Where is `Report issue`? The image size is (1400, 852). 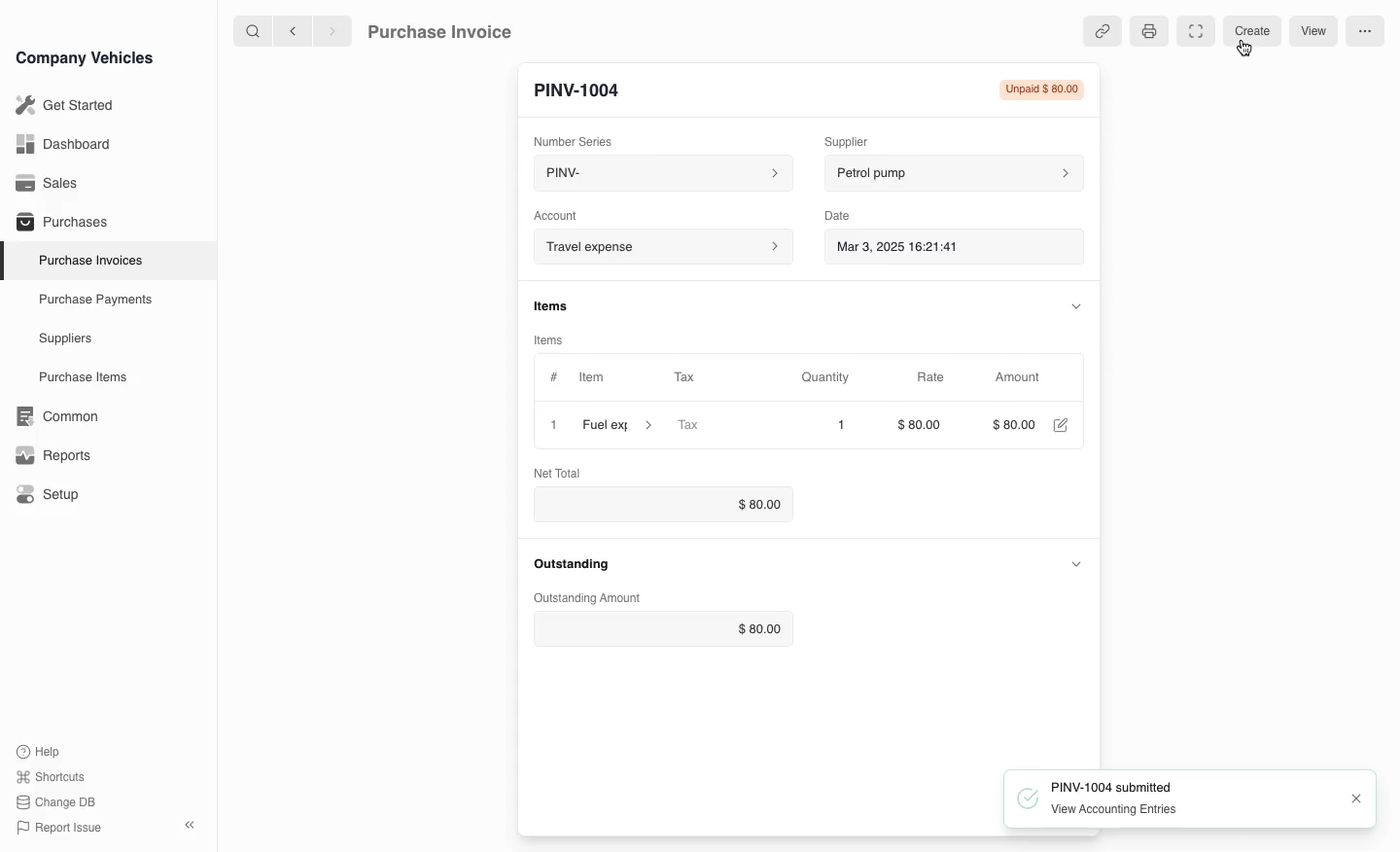
Report issue is located at coordinates (62, 829).